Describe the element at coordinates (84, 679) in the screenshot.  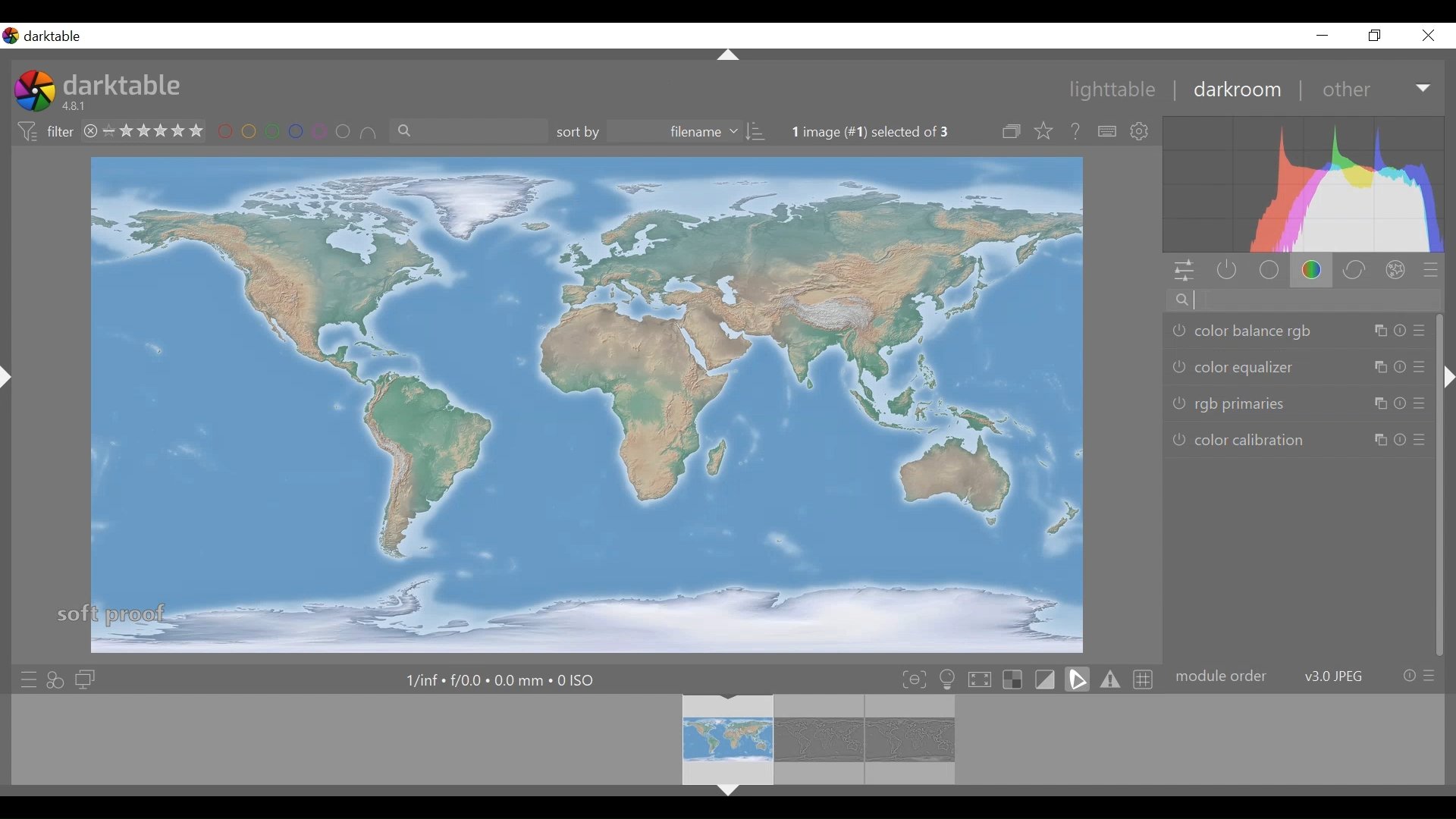
I see `display a second darkroom image` at that location.